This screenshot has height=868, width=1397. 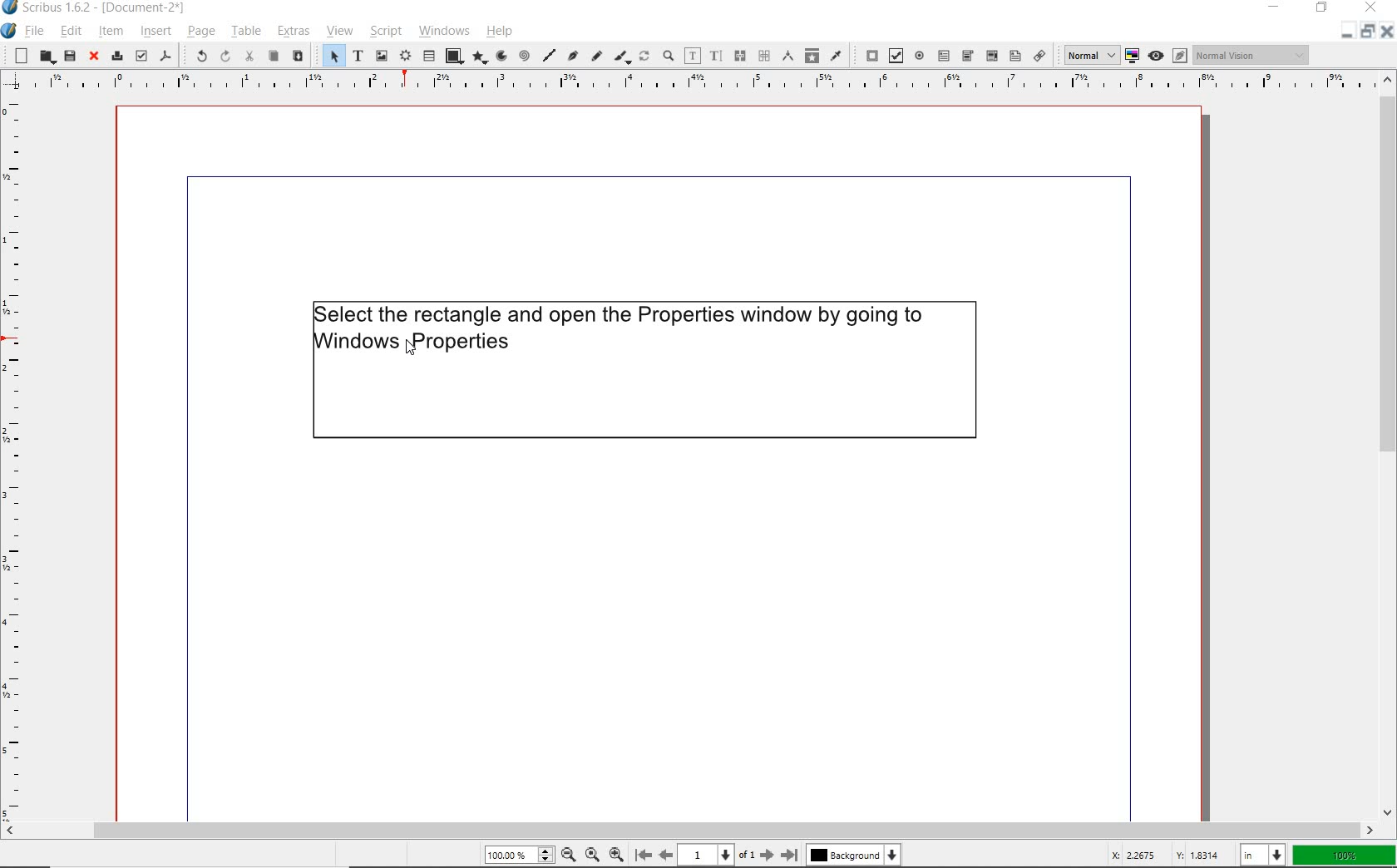 What do you see at coordinates (14, 460) in the screenshot?
I see `ruler` at bounding box center [14, 460].